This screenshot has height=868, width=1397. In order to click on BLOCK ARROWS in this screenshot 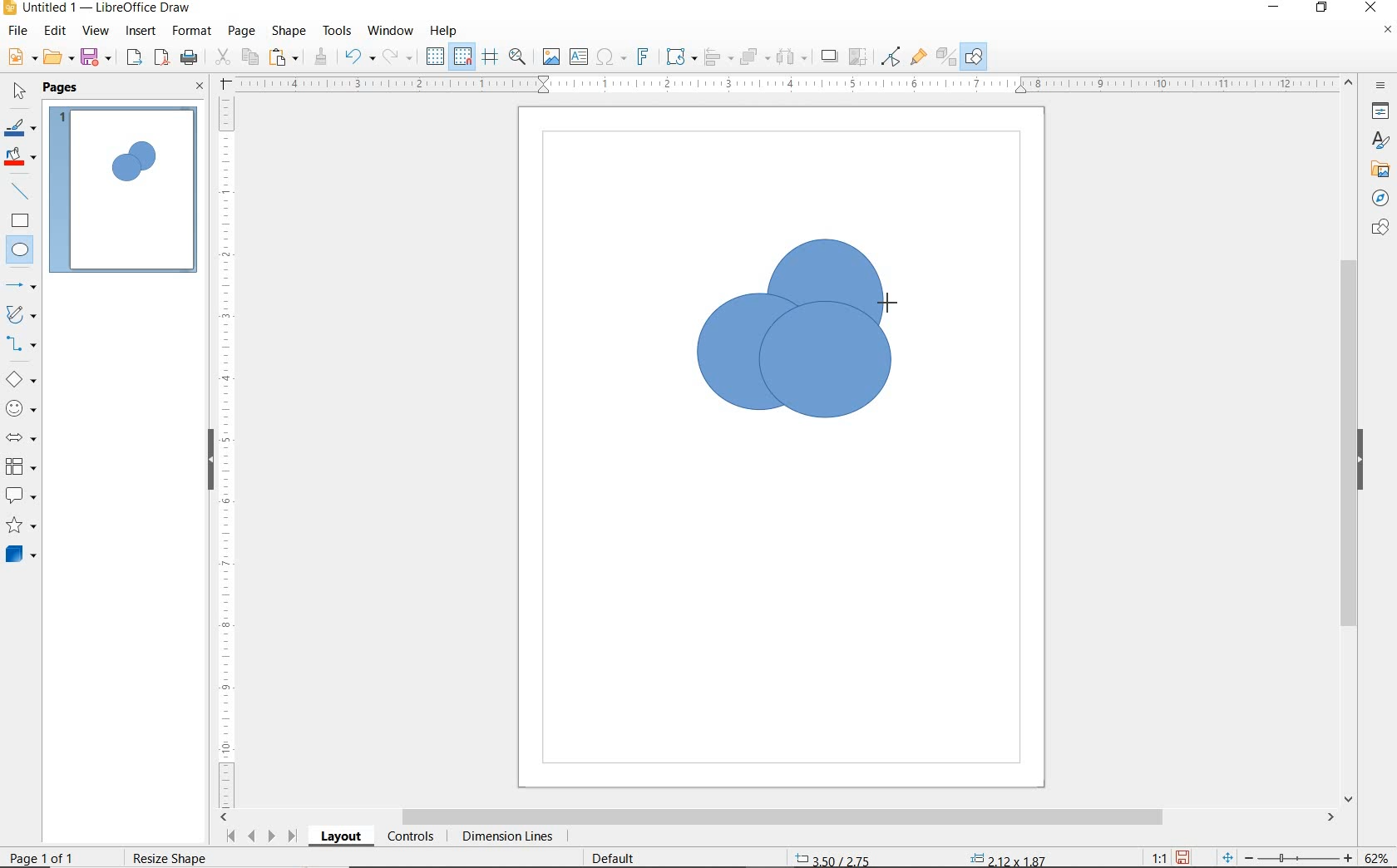, I will do `click(20, 435)`.